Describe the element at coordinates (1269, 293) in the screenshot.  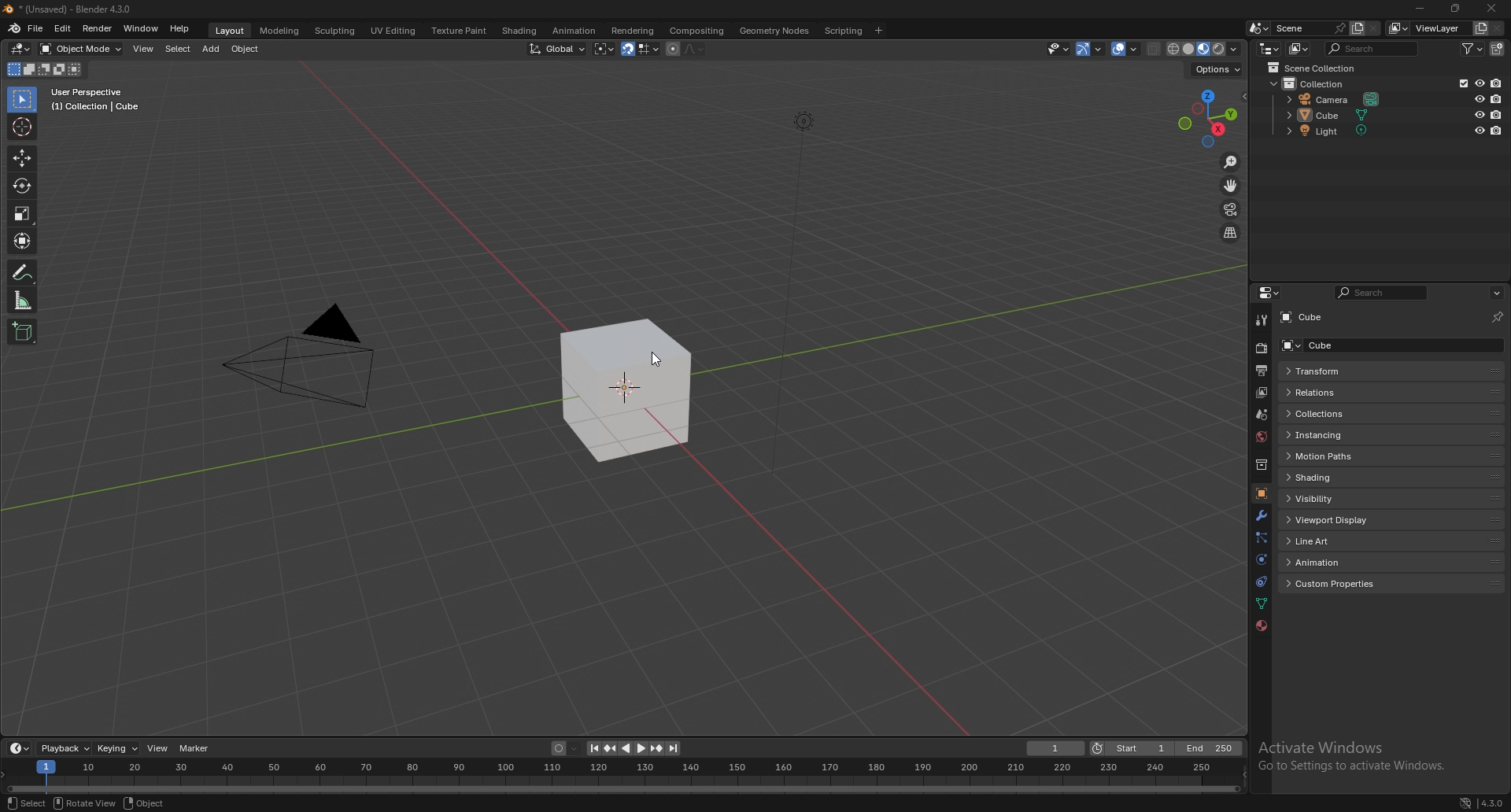
I see `editor type` at that location.